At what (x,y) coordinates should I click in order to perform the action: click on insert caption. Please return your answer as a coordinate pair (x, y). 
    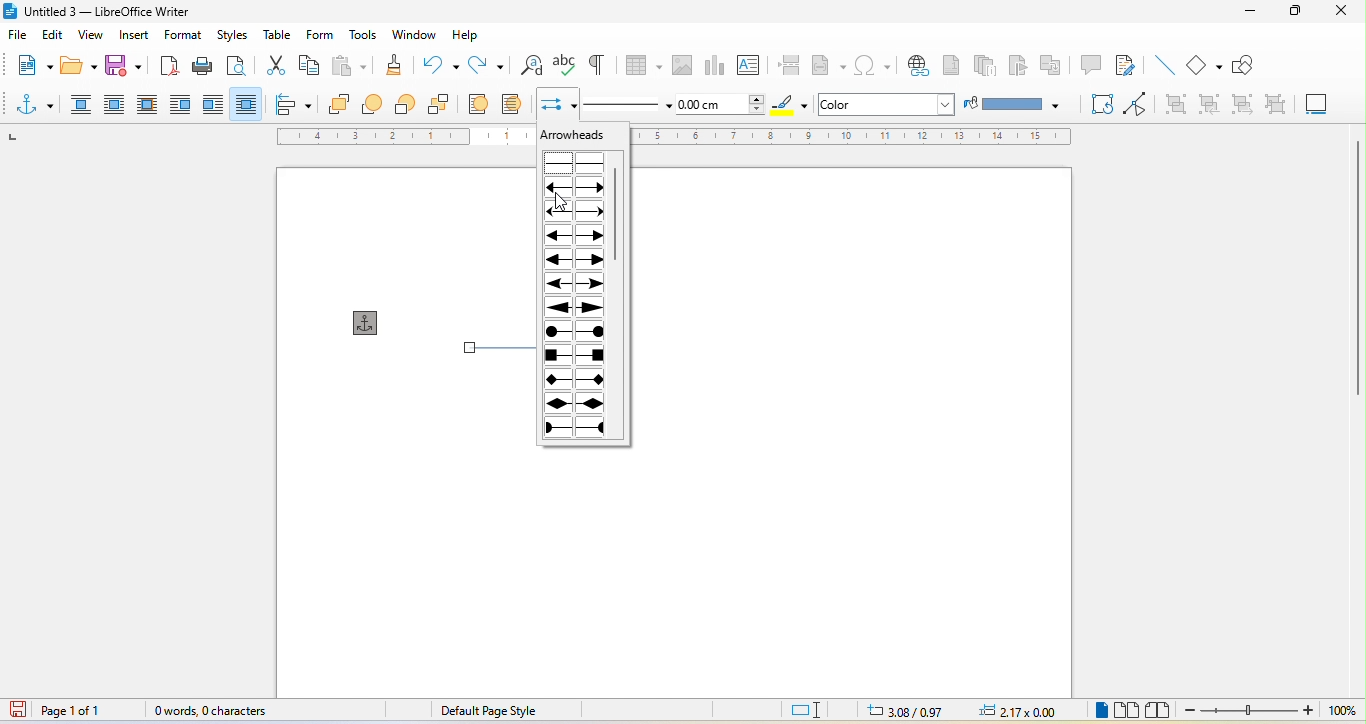
    Looking at the image, I should click on (1315, 102).